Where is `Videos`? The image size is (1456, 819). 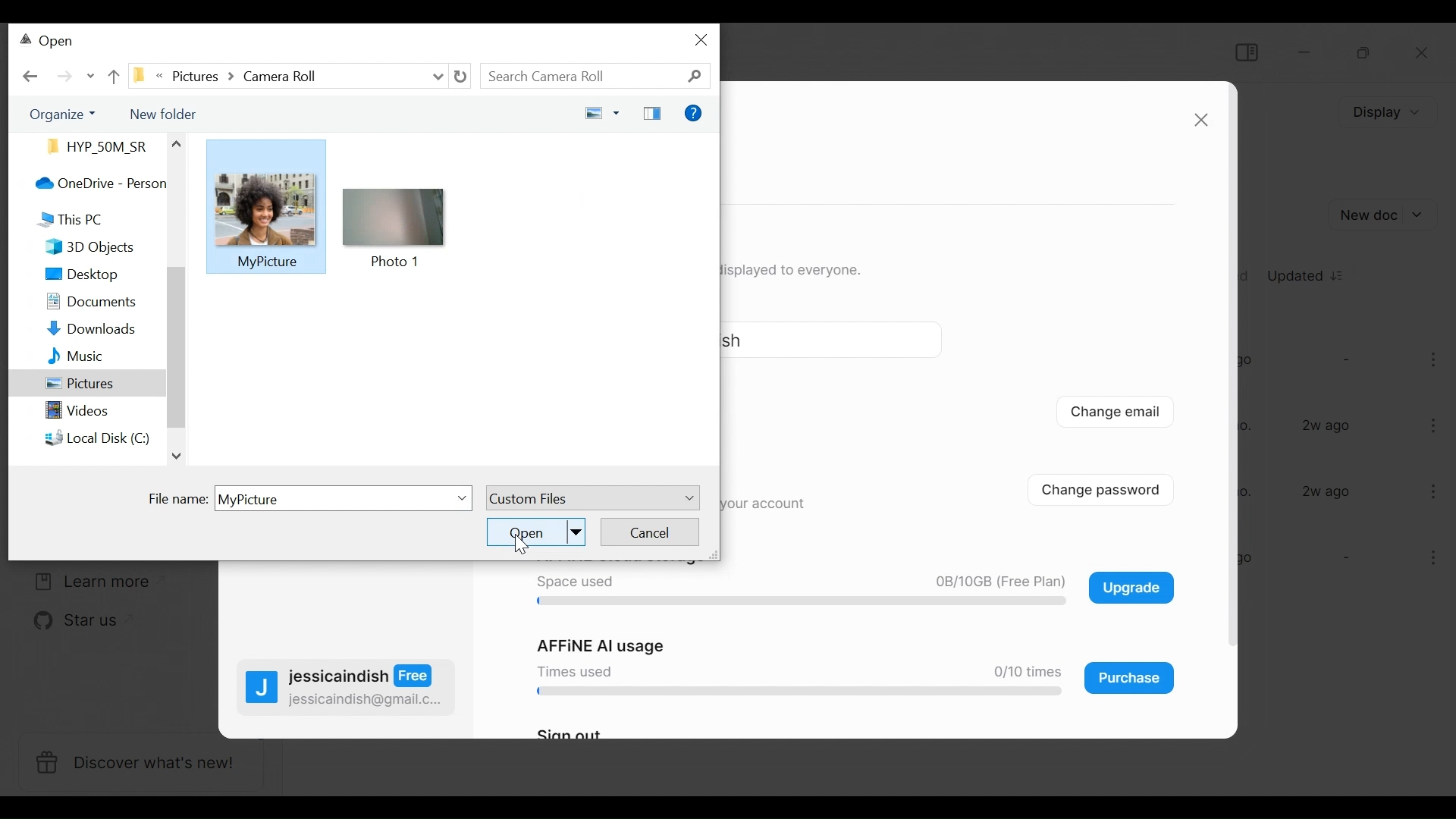
Videos is located at coordinates (66, 414).